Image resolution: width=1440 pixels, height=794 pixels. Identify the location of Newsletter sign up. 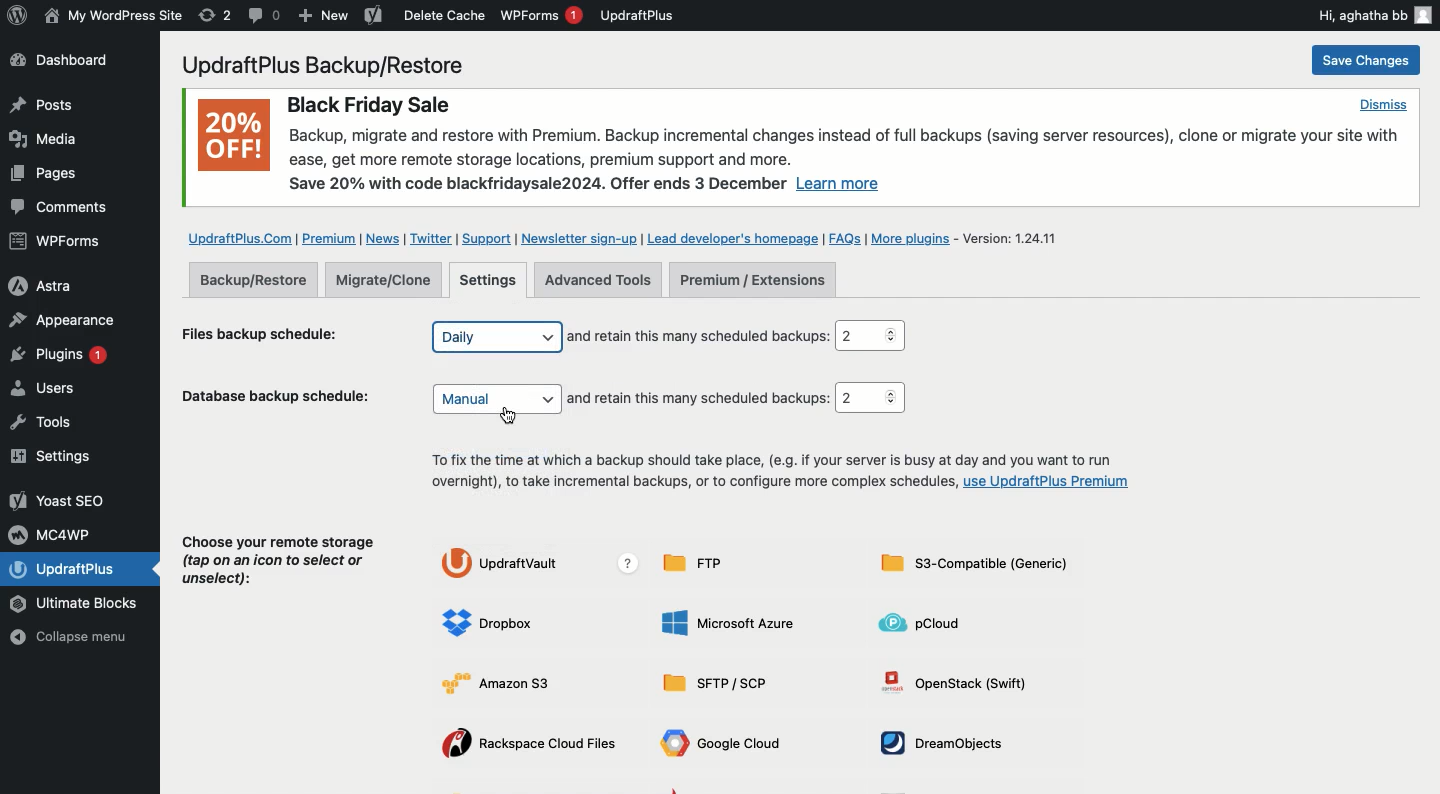
(576, 238).